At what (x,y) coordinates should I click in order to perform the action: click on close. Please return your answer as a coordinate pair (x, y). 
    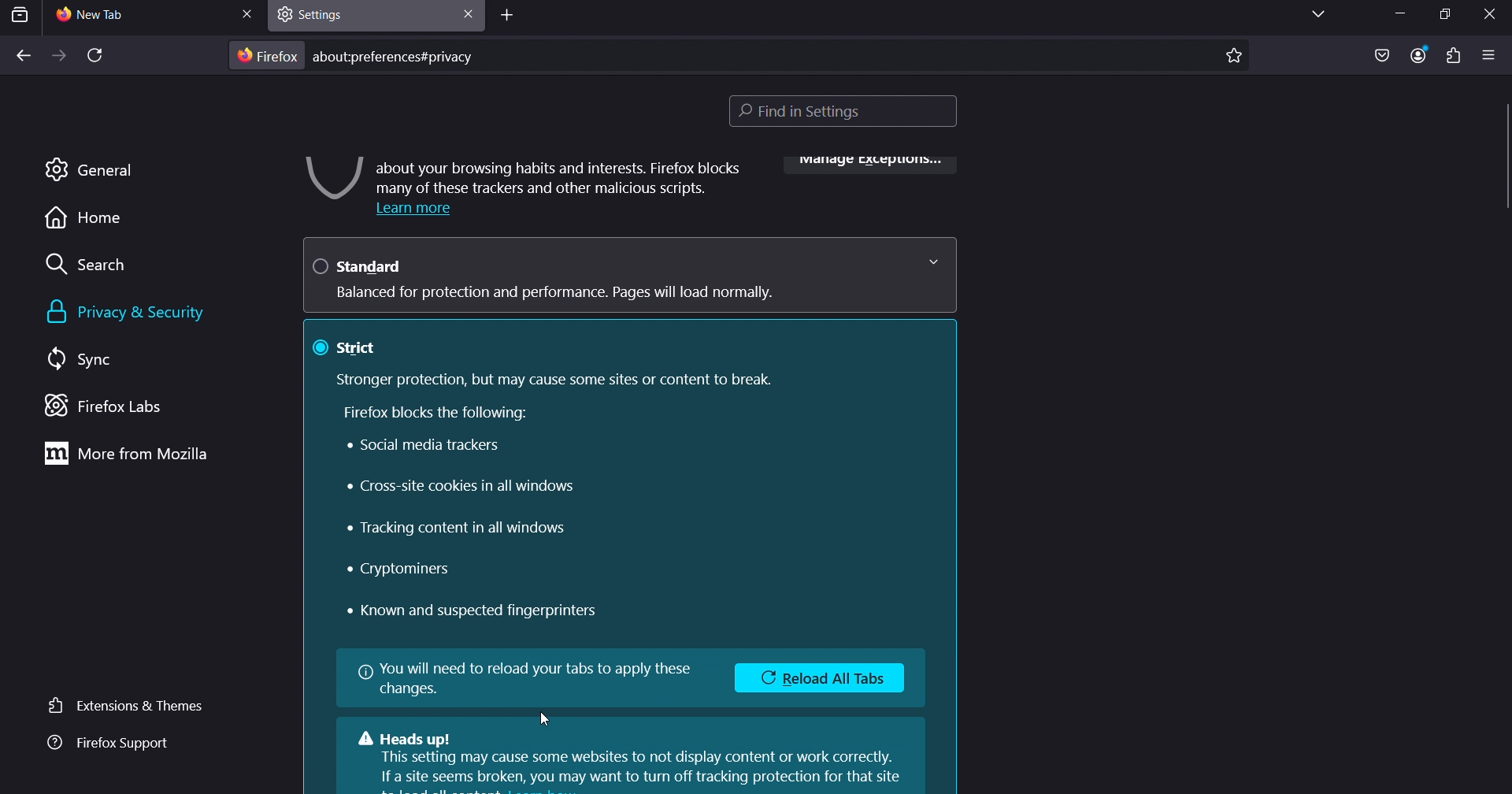
    Looking at the image, I should click on (247, 13).